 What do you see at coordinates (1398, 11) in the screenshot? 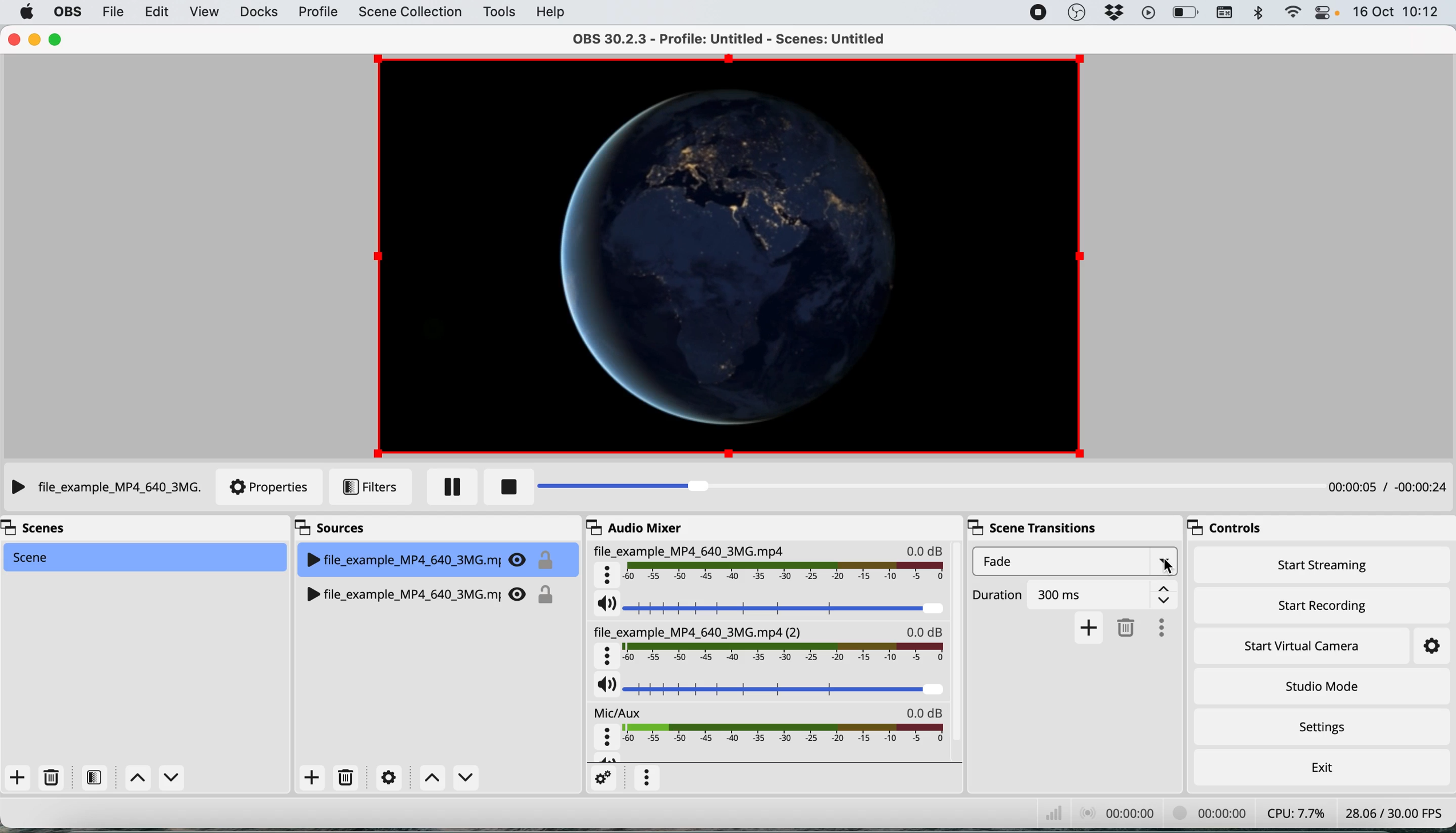
I see `16 Oct 10:12` at bounding box center [1398, 11].